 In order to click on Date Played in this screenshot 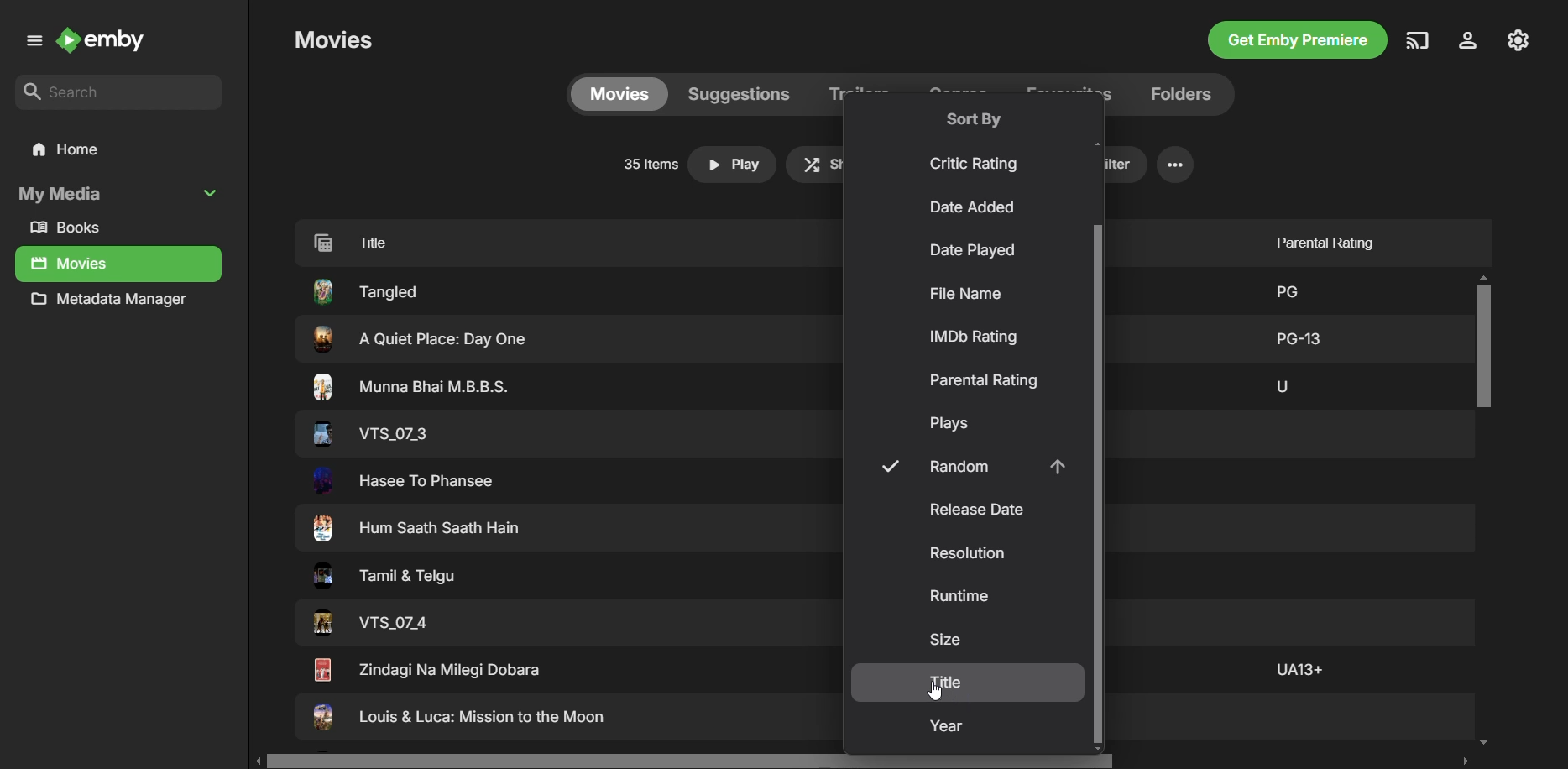, I will do `click(970, 252)`.